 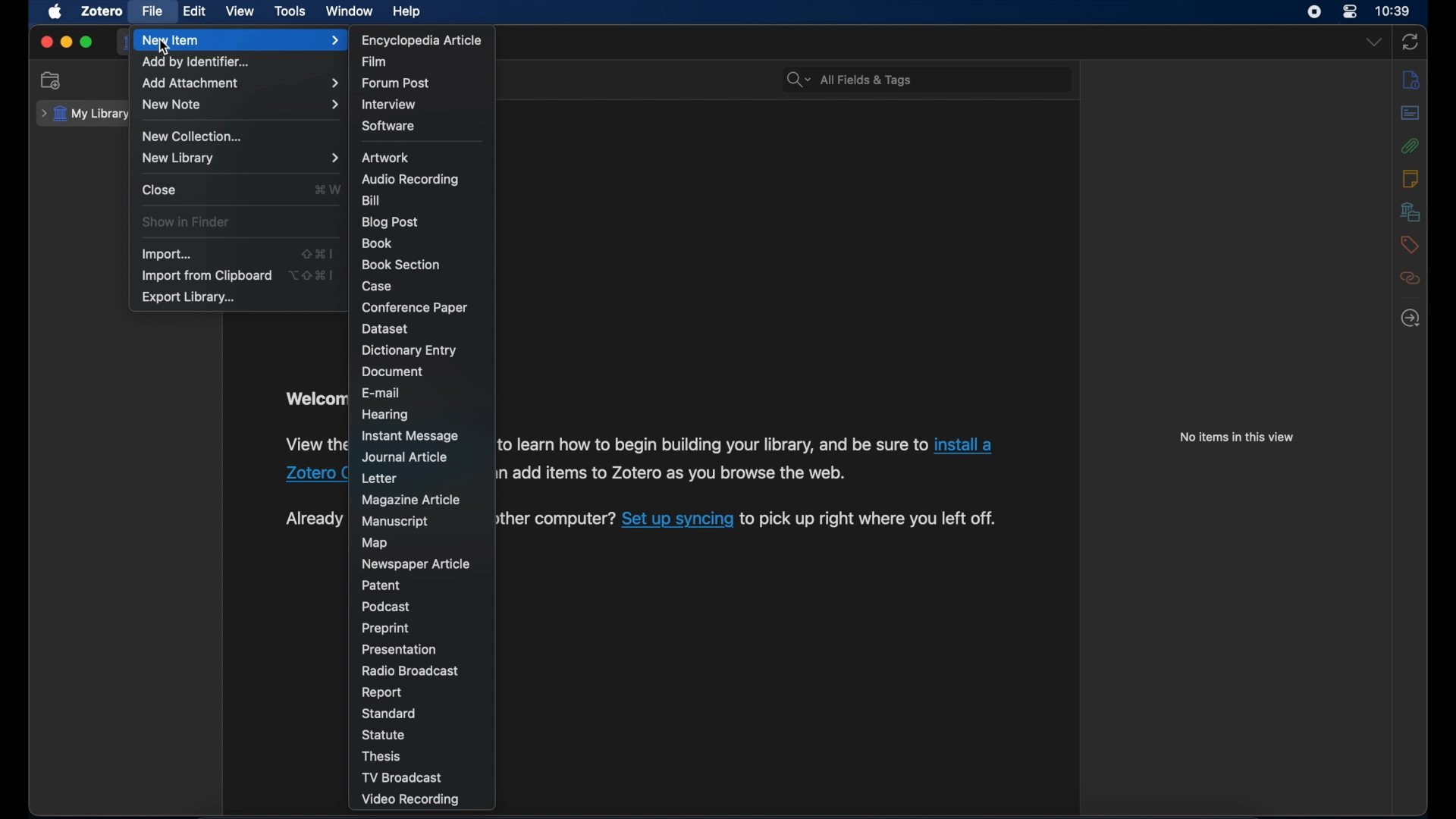 What do you see at coordinates (240, 158) in the screenshot?
I see `new library` at bounding box center [240, 158].